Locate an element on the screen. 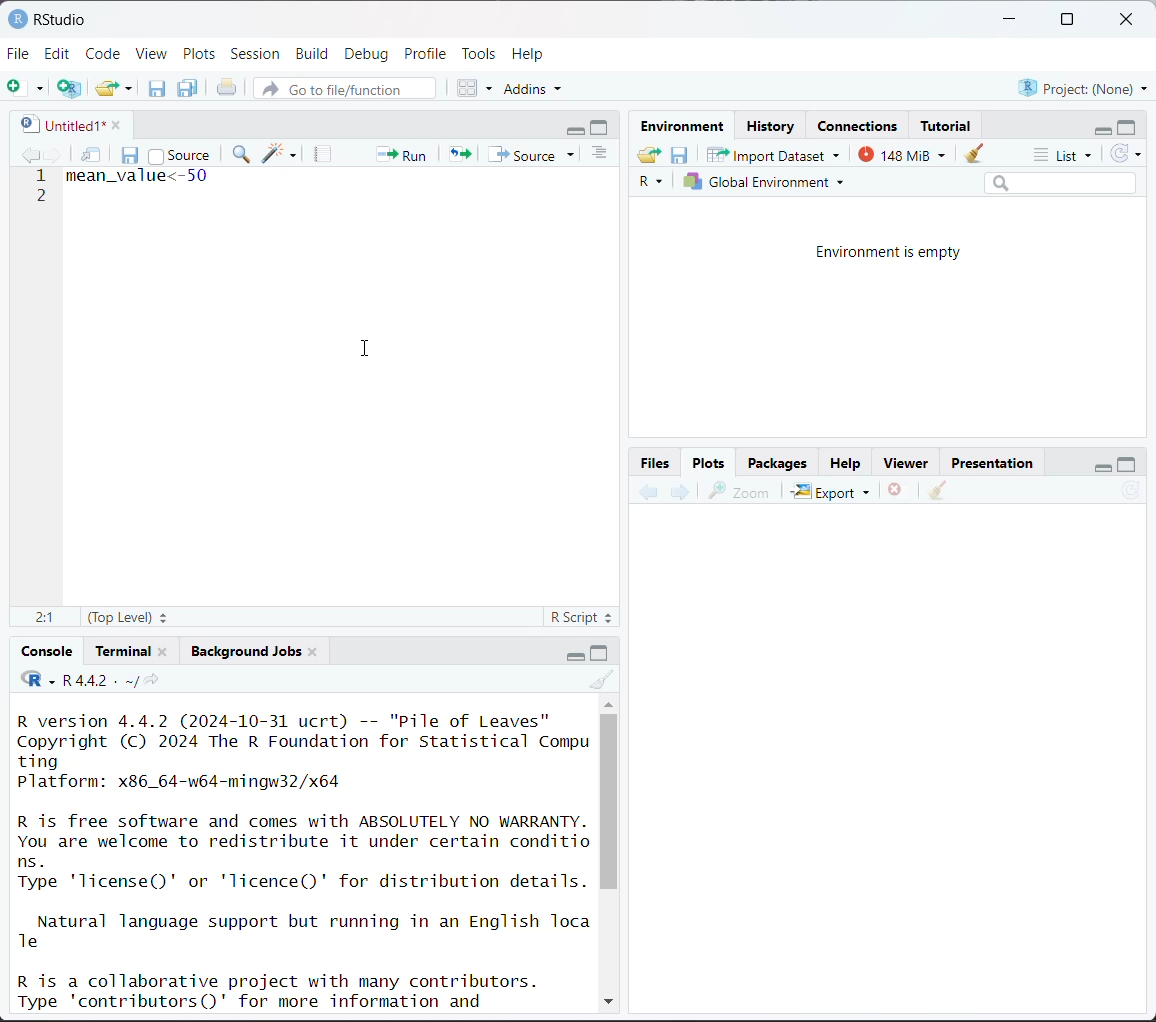  source is located at coordinates (535, 154).